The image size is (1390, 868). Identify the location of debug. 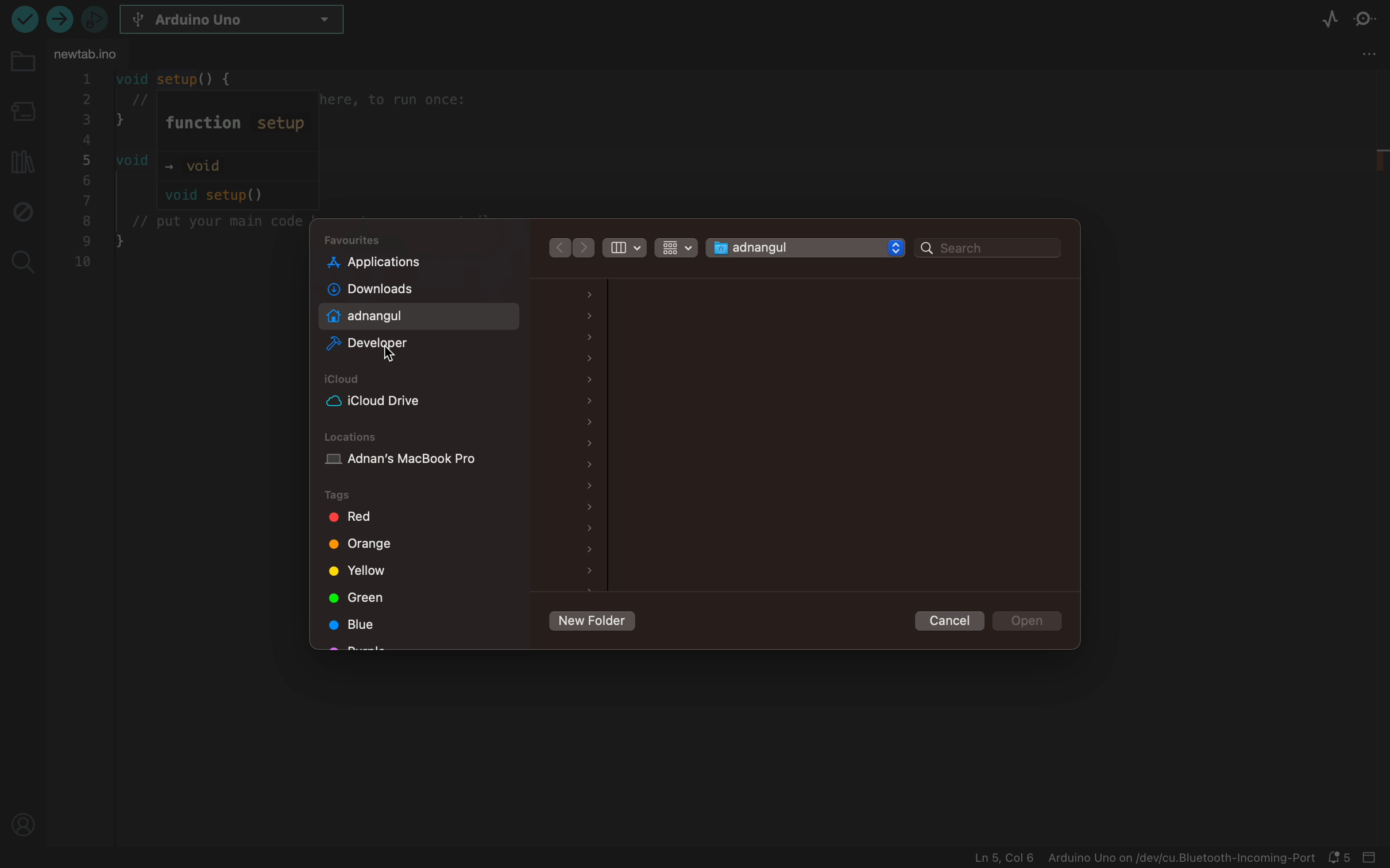
(21, 210).